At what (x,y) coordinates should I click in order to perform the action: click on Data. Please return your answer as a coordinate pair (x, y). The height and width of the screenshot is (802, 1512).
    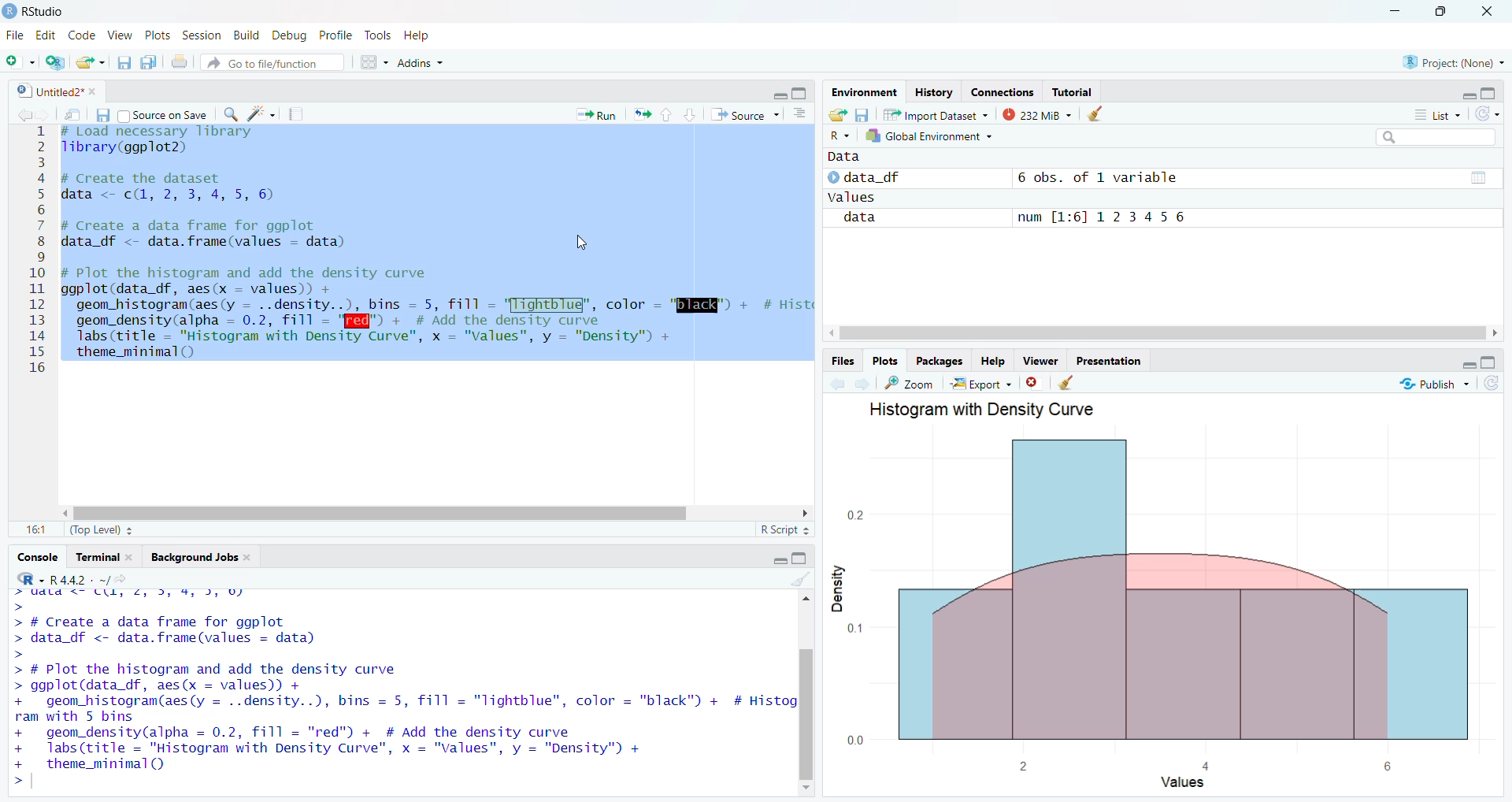
    Looking at the image, I should click on (845, 158).